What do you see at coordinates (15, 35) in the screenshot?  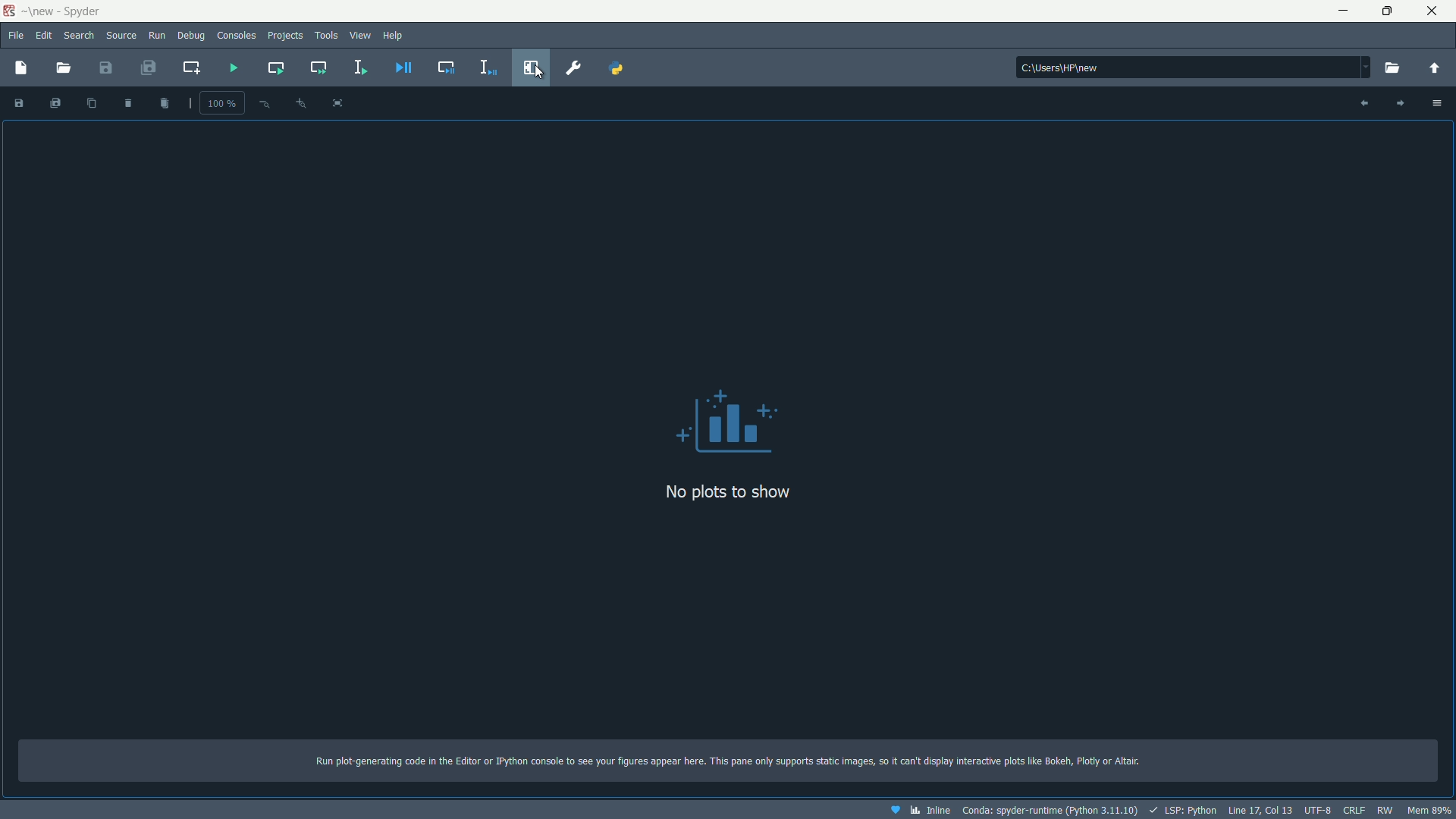 I see `file` at bounding box center [15, 35].